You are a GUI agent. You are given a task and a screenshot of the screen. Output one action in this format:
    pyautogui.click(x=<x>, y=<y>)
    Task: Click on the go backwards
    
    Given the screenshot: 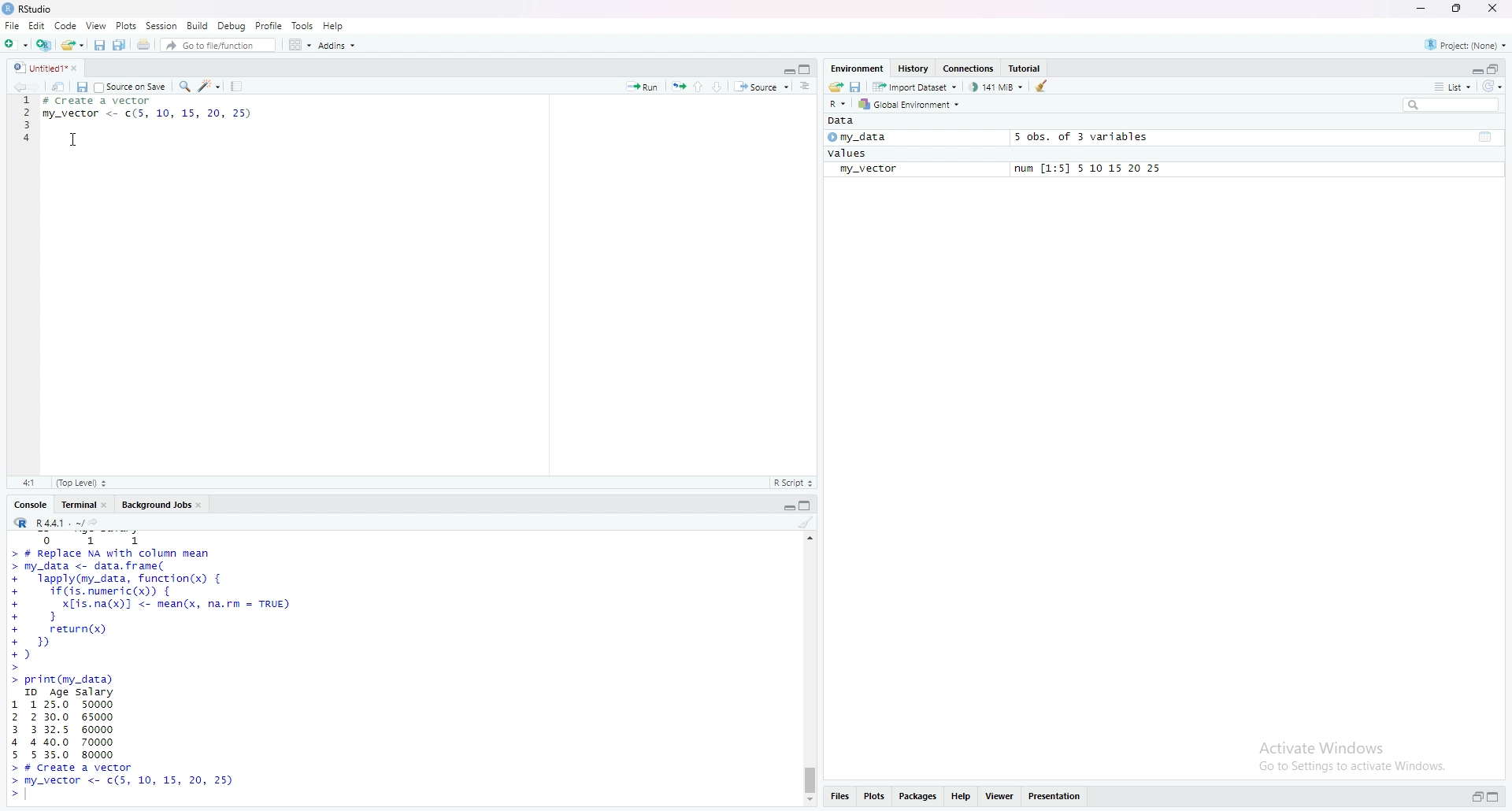 What is the action you would take?
    pyautogui.click(x=17, y=87)
    